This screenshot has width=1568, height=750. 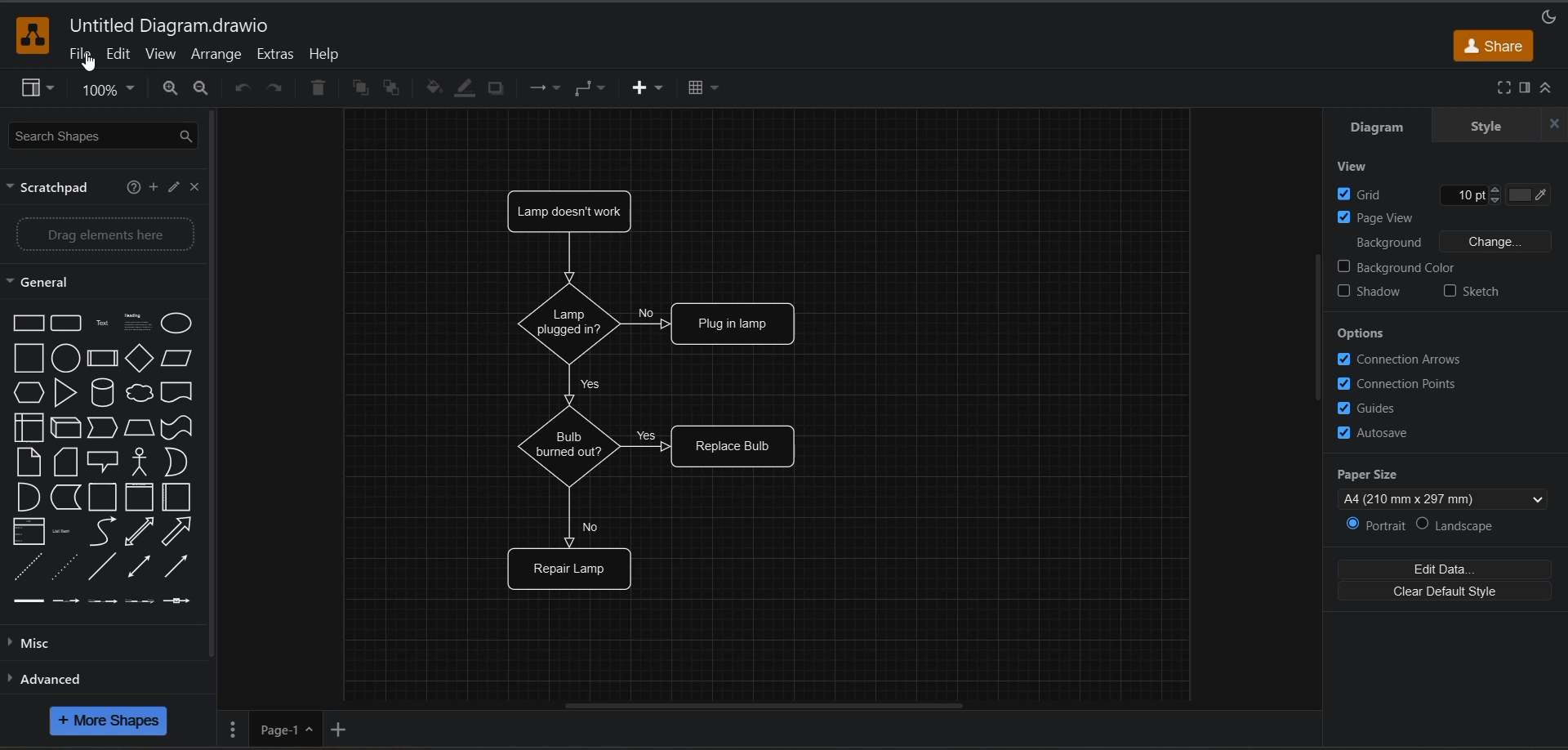 I want to click on page, so click(x=285, y=729).